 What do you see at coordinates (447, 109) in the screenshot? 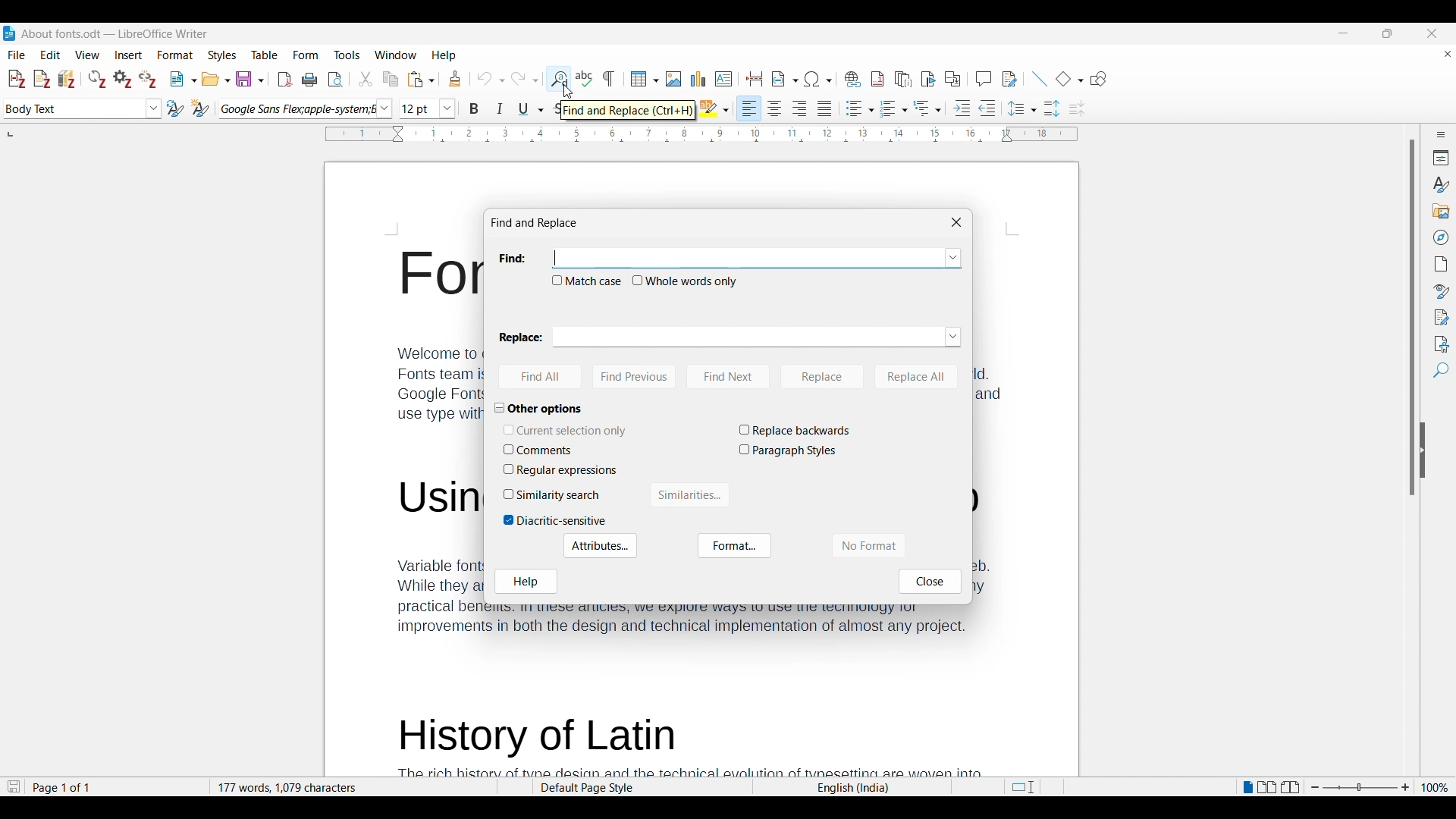
I see `Text size options` at bounding box center [447, 109].